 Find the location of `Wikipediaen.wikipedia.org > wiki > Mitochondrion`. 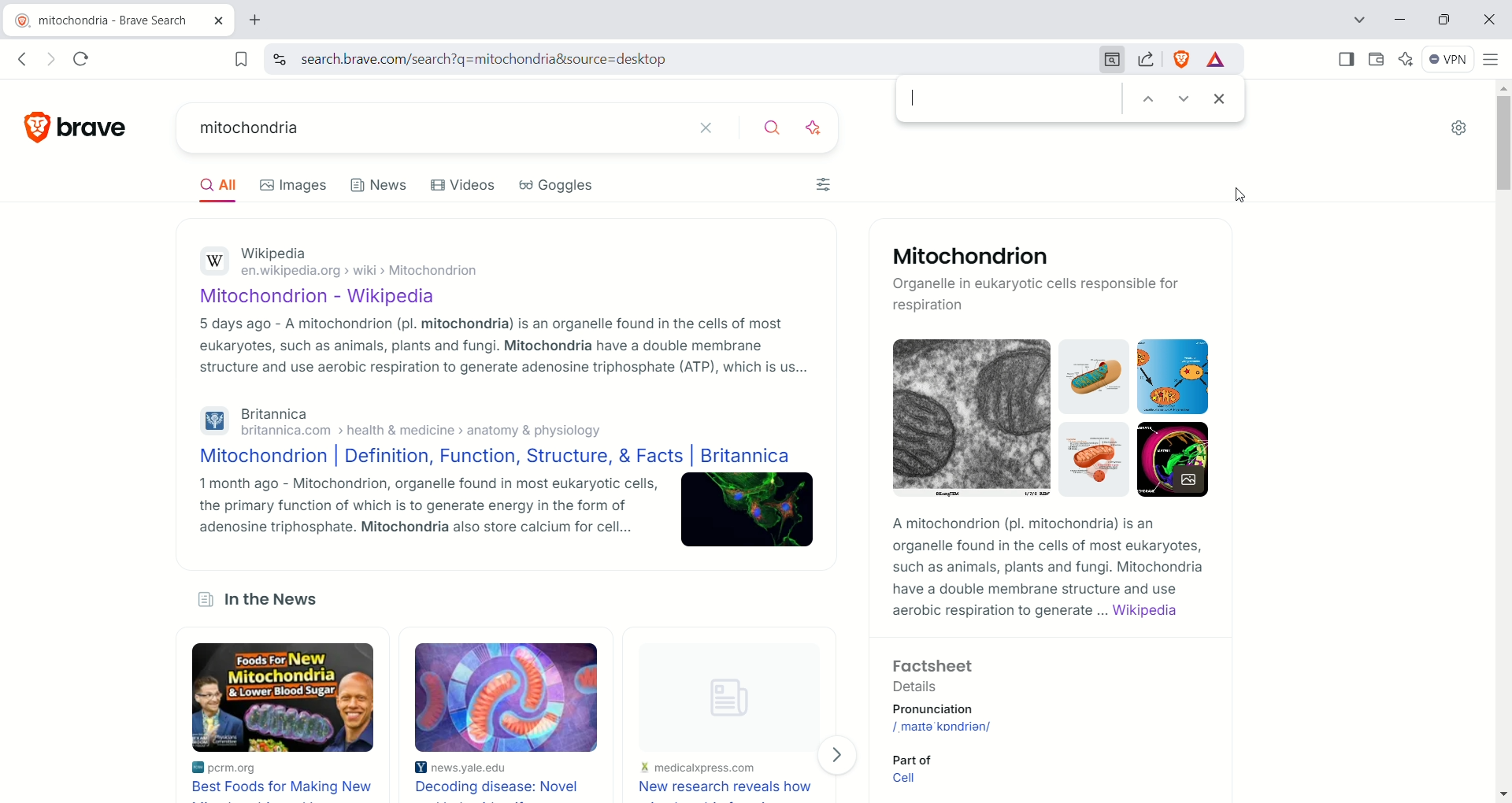

Wikipediaen.wikipedia.org > wiki > Mitochondrion is located at coordinates (391, 261).